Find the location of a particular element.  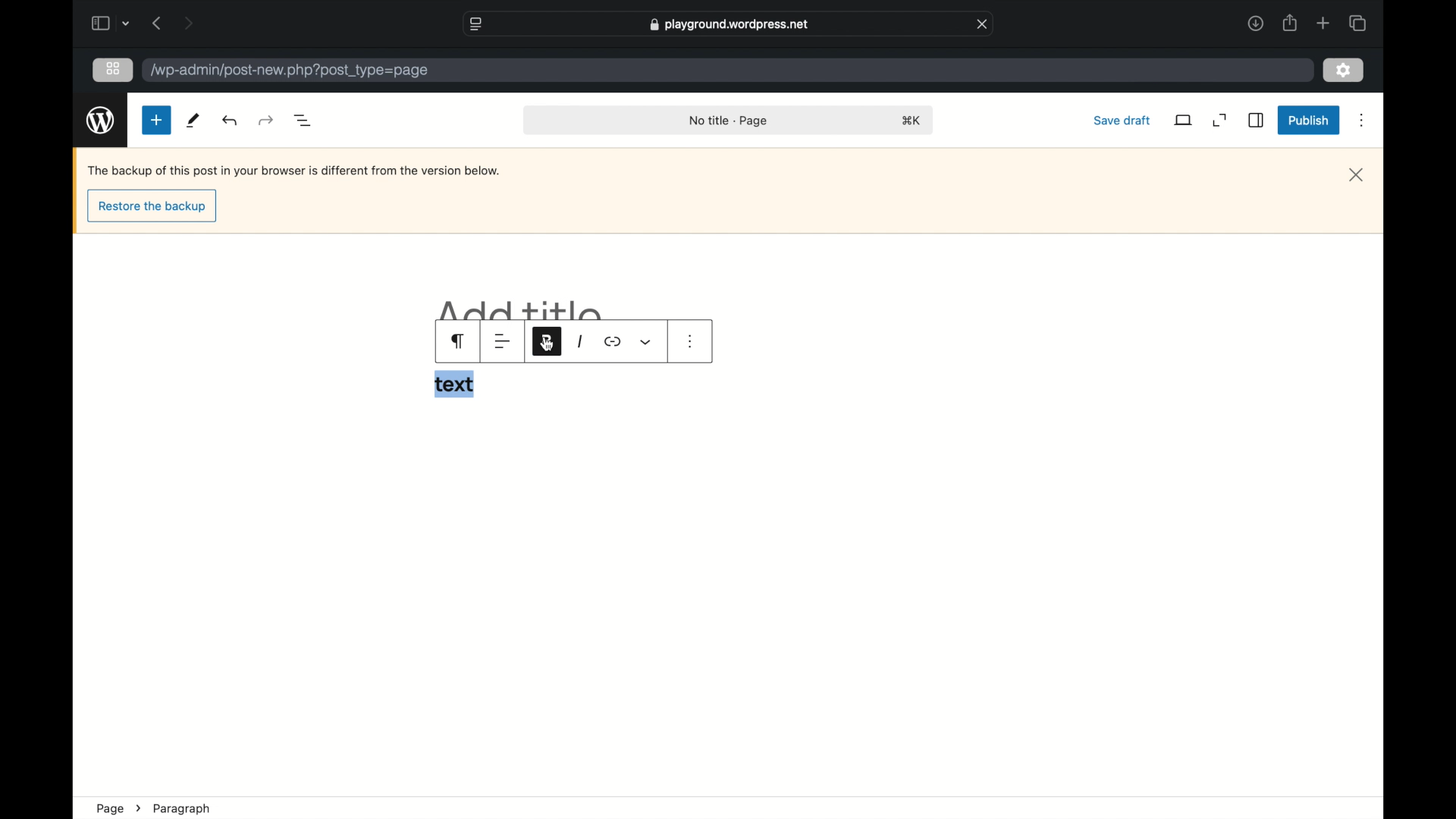

settings is located at coordinates (1345, 69).